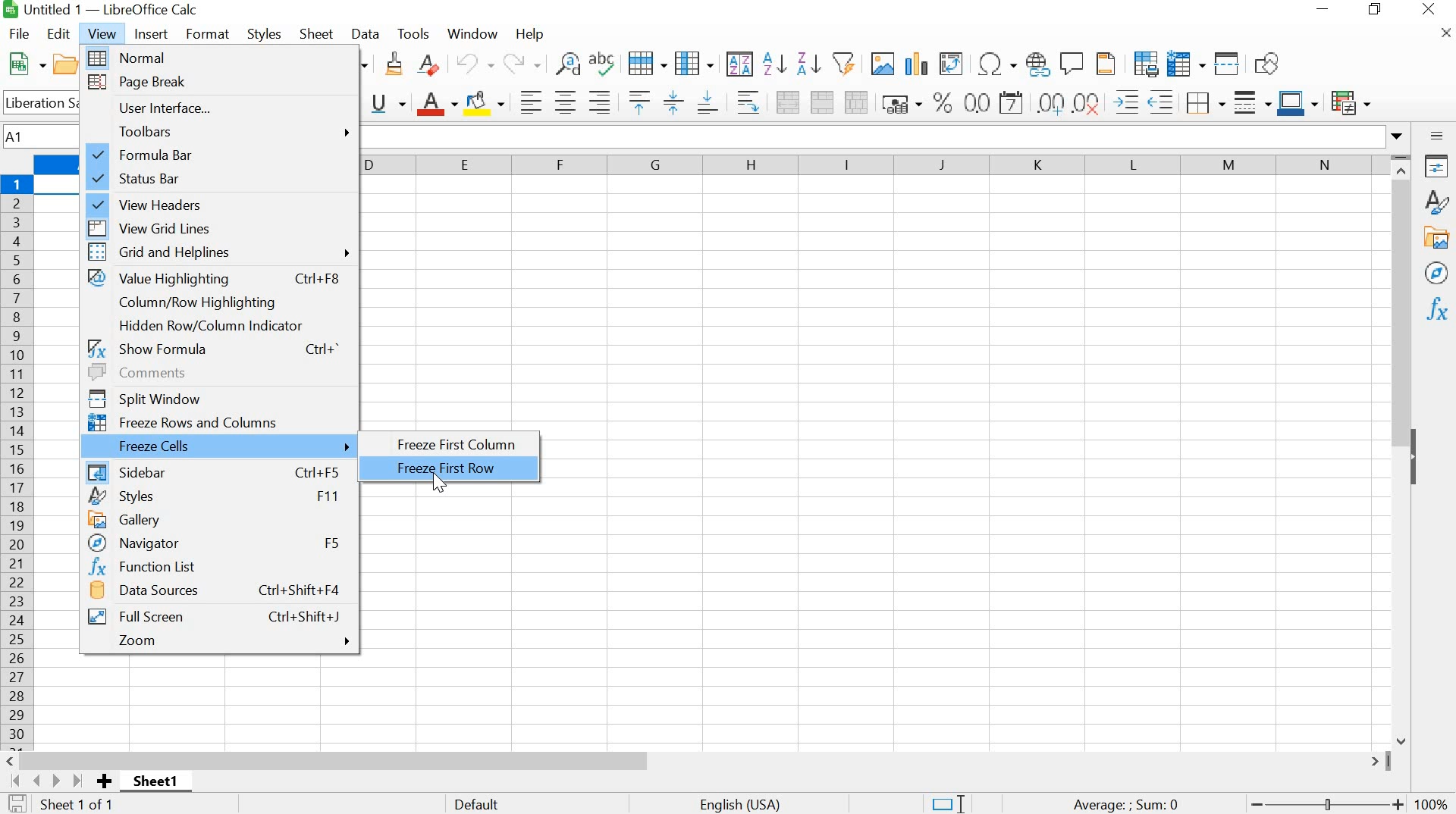 The width and height of the screenshot is (1456, 814). I want to click on COLUMN, so click(695, 62).